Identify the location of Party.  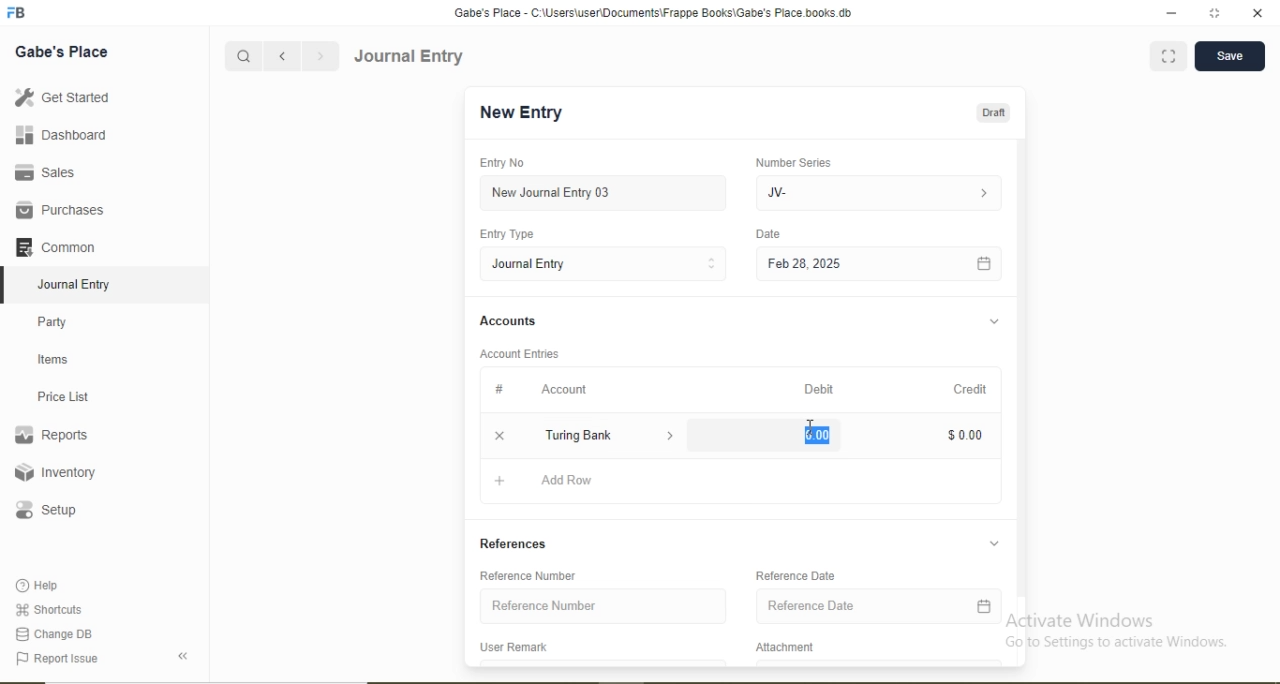
(53, 324).